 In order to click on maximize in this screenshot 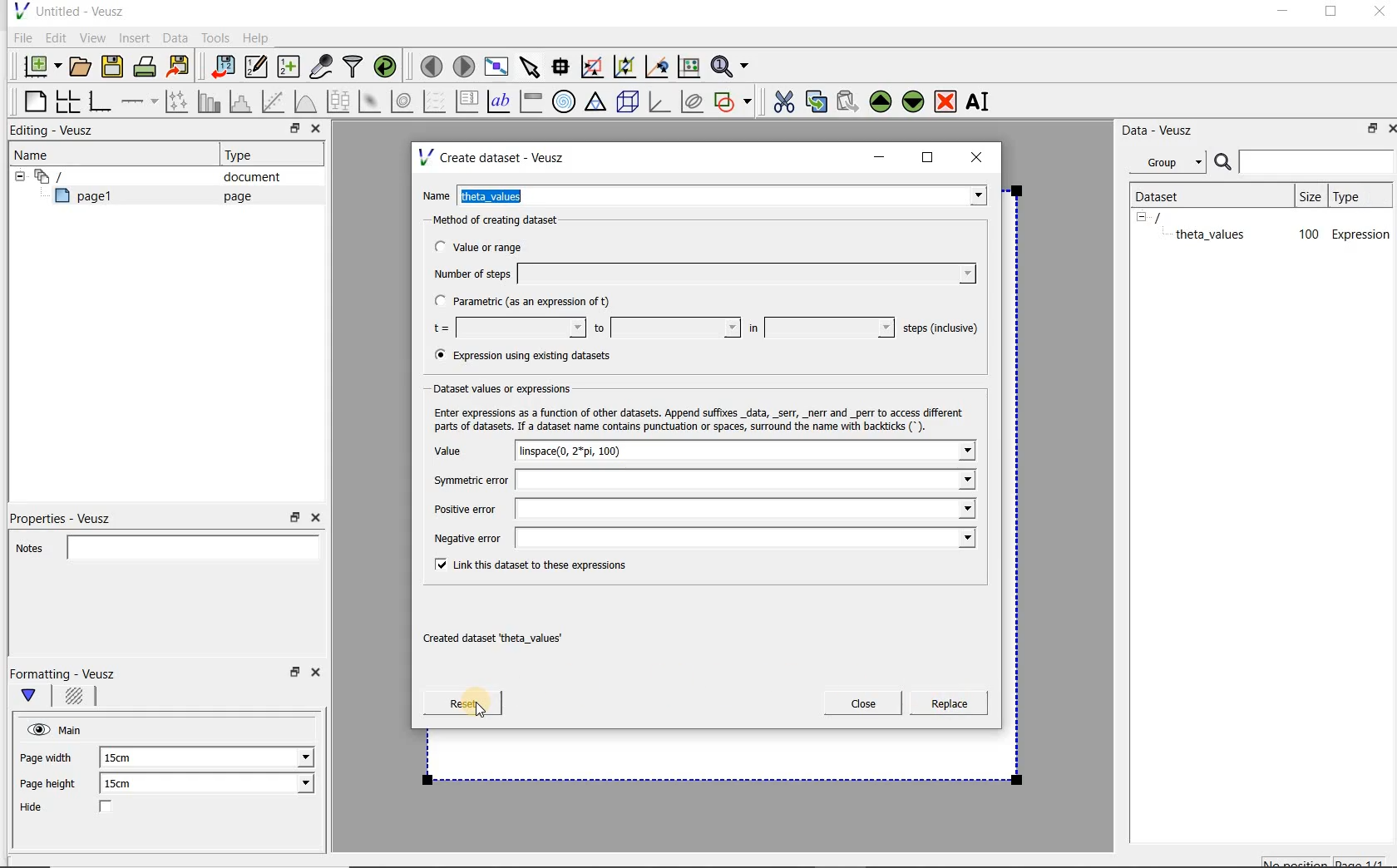, I will do `click(928, 158)`.